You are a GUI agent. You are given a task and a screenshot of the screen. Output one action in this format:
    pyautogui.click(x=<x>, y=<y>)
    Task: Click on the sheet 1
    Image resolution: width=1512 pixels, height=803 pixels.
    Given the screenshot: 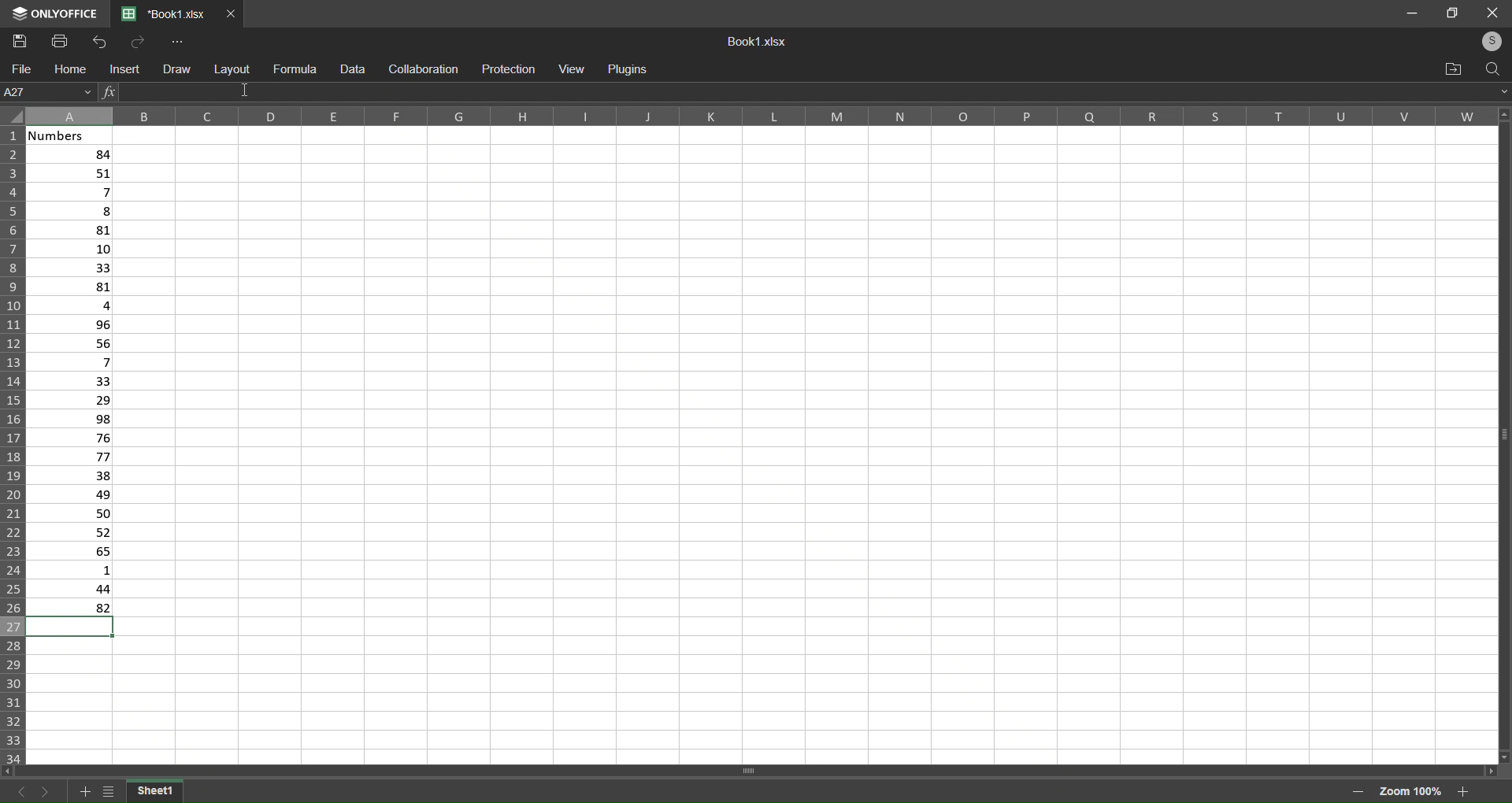 What is the action you would take?
    pyautogui.click(x=159, y=791)
    